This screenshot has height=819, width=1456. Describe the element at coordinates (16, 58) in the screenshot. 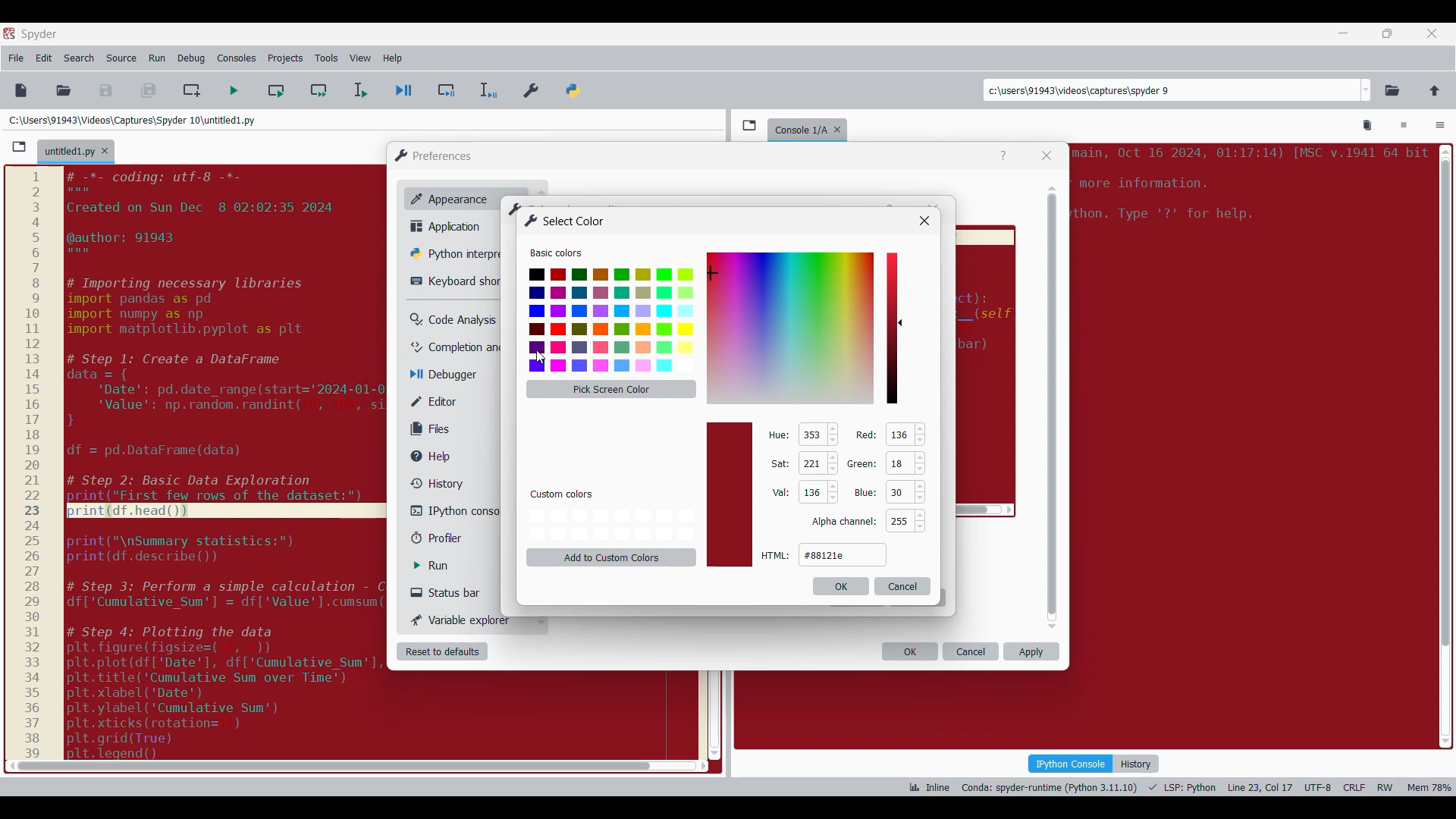

I see `File menu ` at that location.